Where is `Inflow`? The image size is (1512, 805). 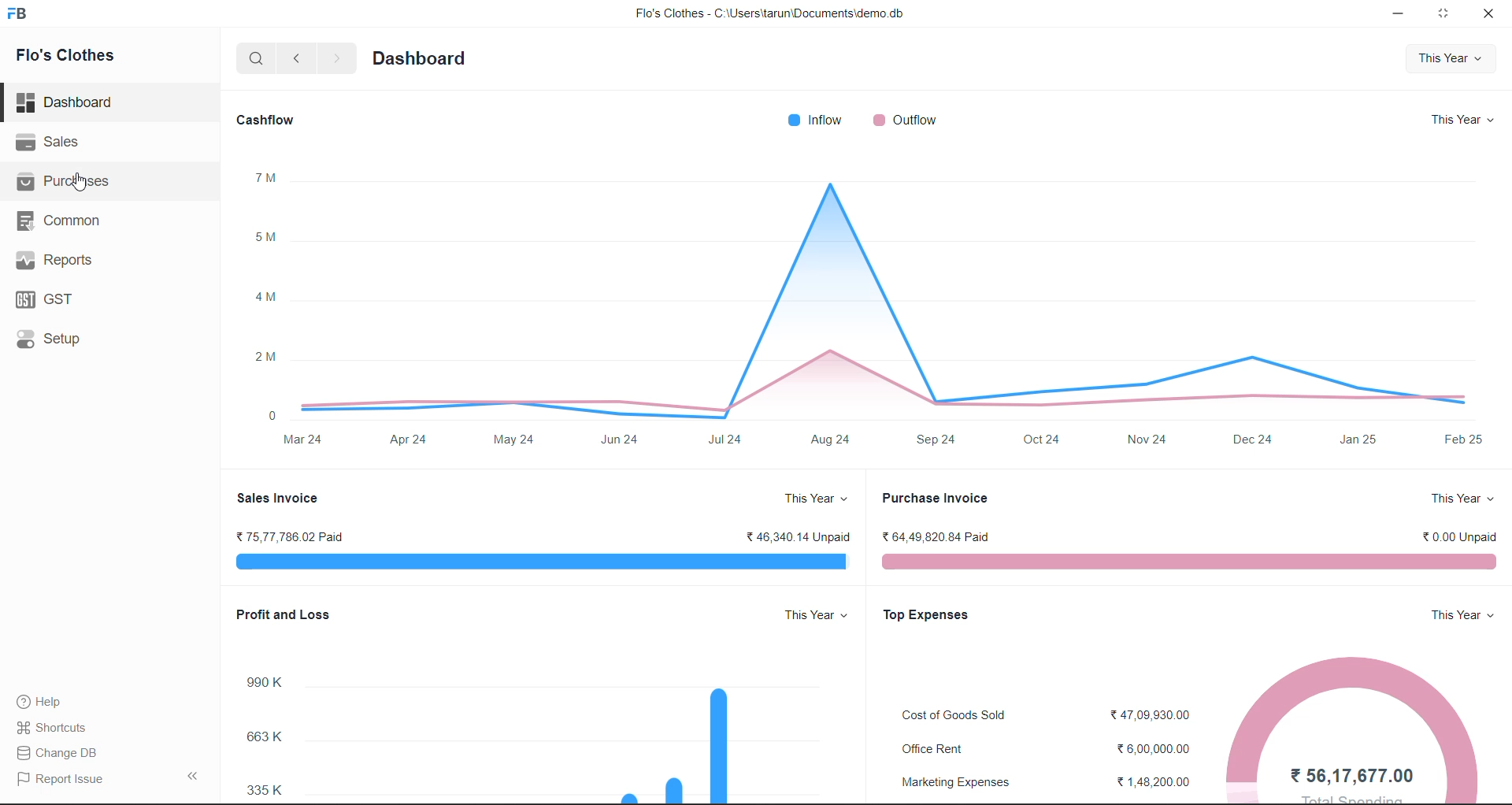
Inflow is located at coordinates (821, 120).